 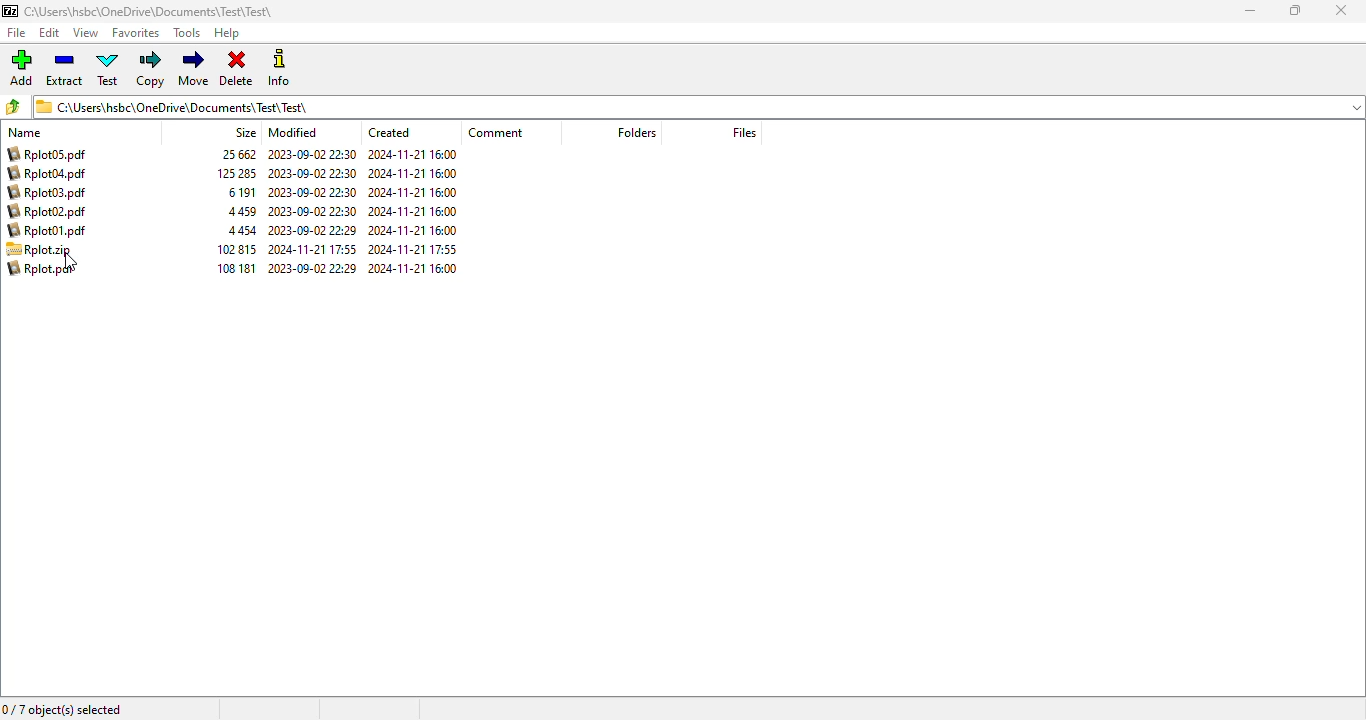 I want to click on Rplot.pdf , so click(x=44, y=269).